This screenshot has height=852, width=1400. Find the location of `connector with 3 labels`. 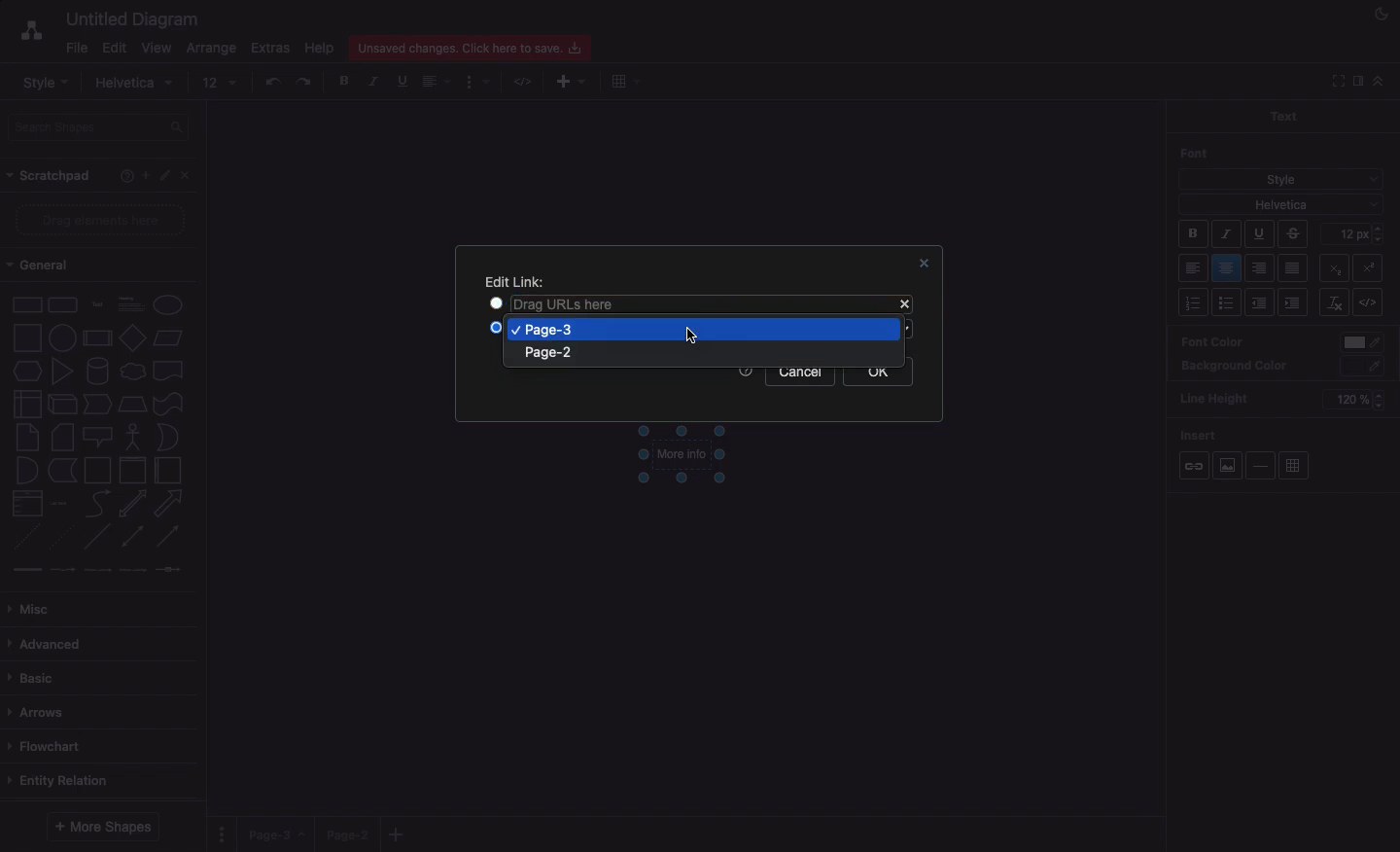

connector with 3 labels is located at coordinates (133, 570).